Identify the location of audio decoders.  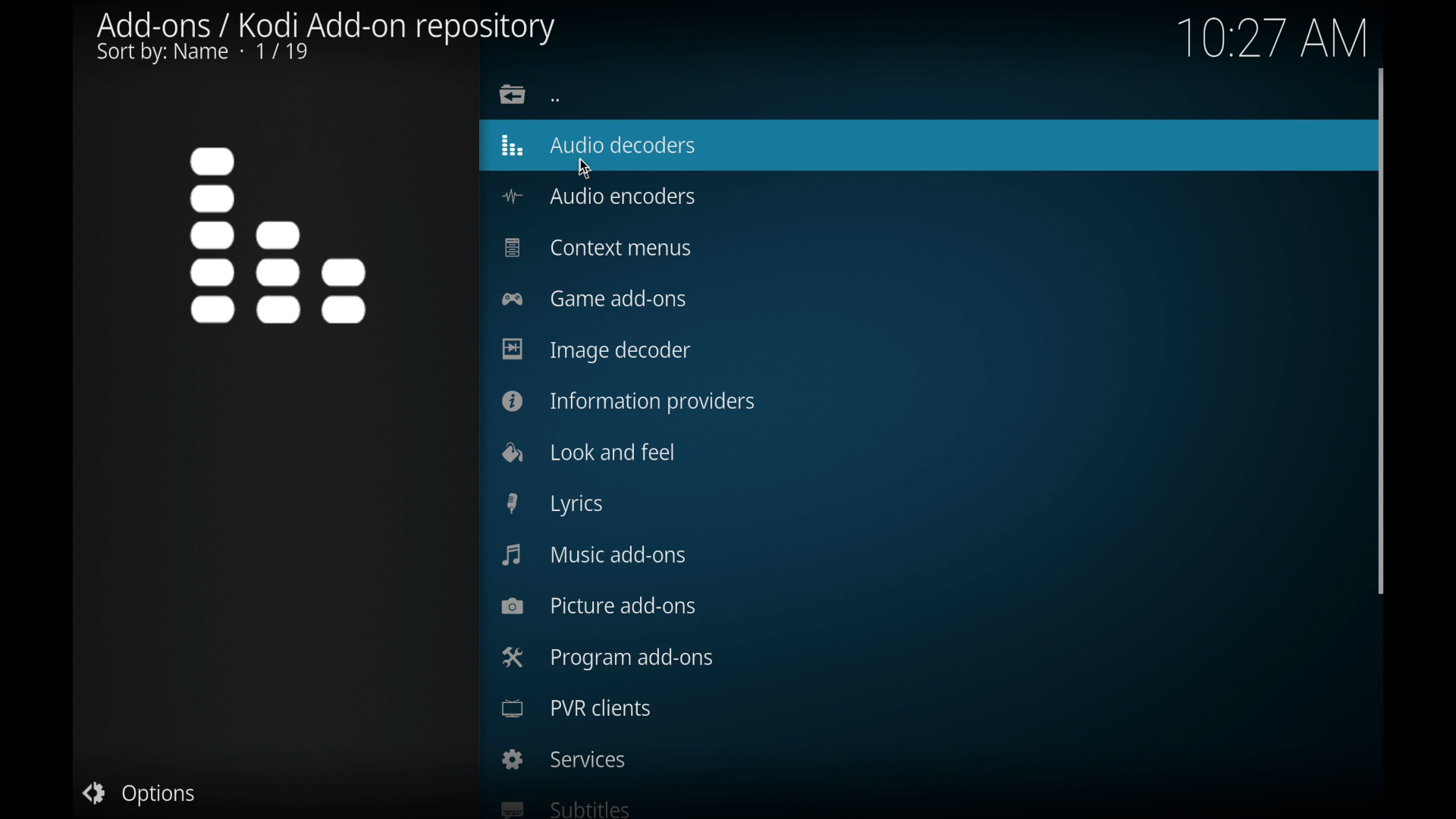
(600, 146).